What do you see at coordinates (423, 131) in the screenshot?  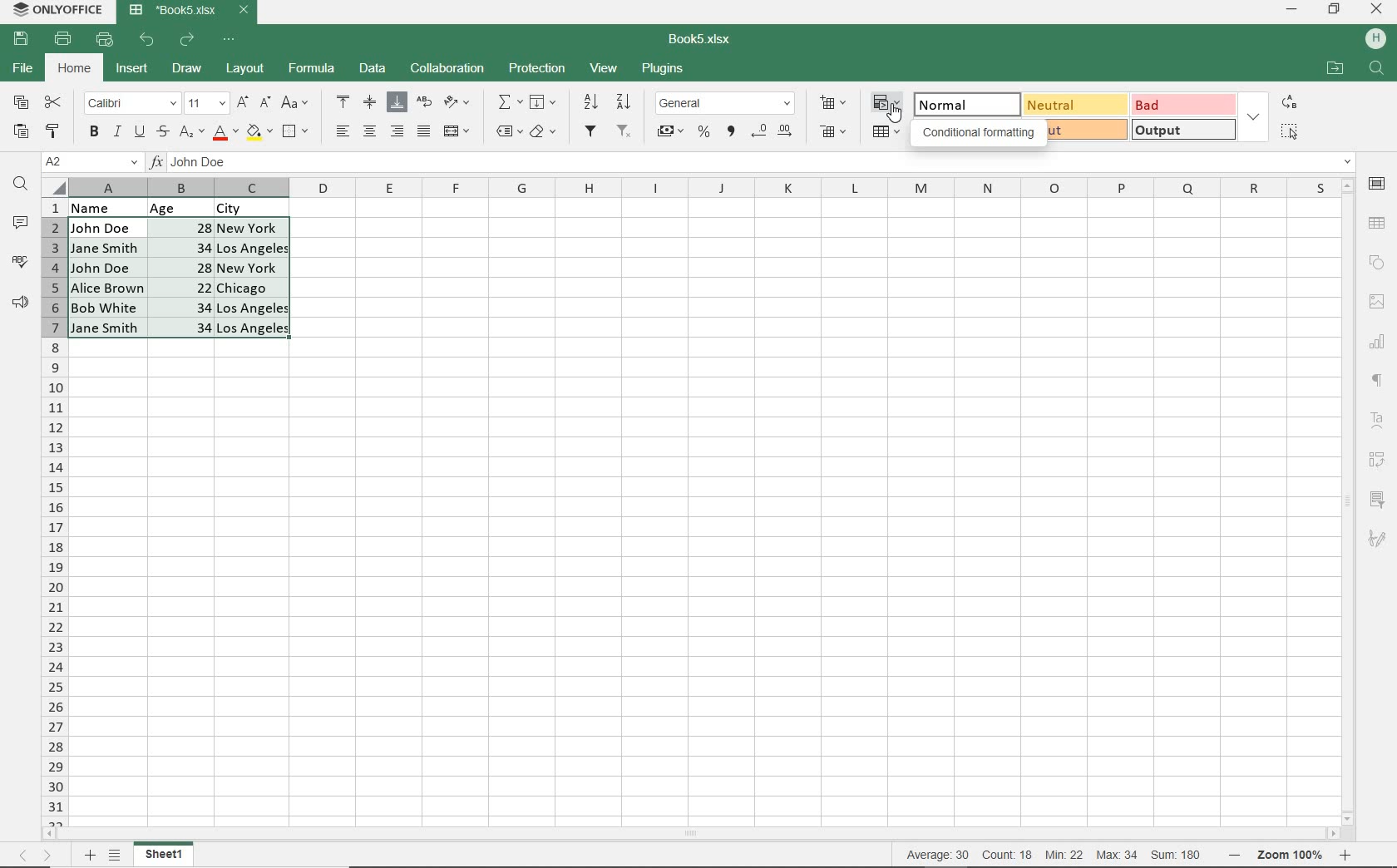 I see `JUSTIFIED` at bounding box center [423, 131].